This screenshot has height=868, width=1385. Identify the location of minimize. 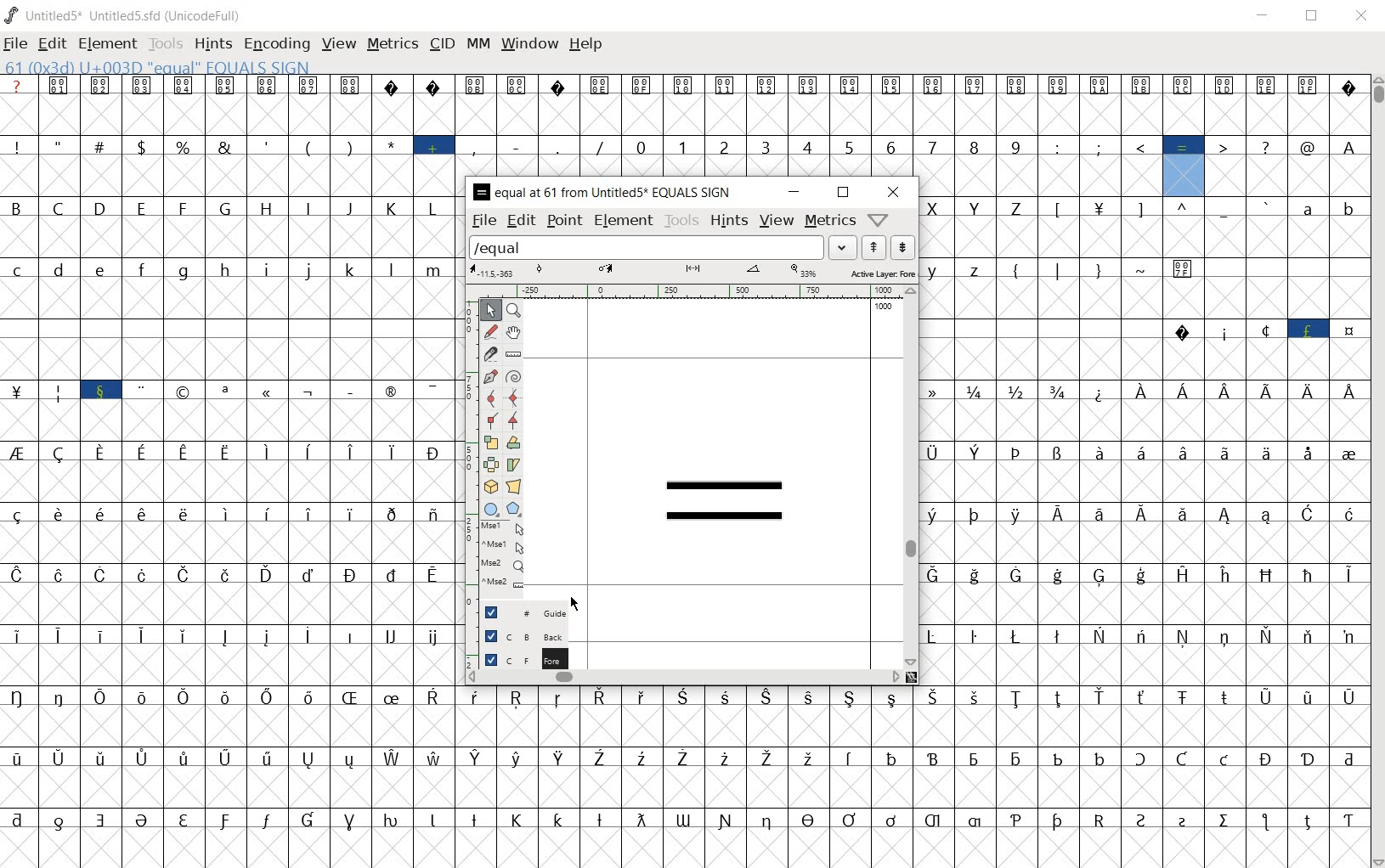
(1263, 15).